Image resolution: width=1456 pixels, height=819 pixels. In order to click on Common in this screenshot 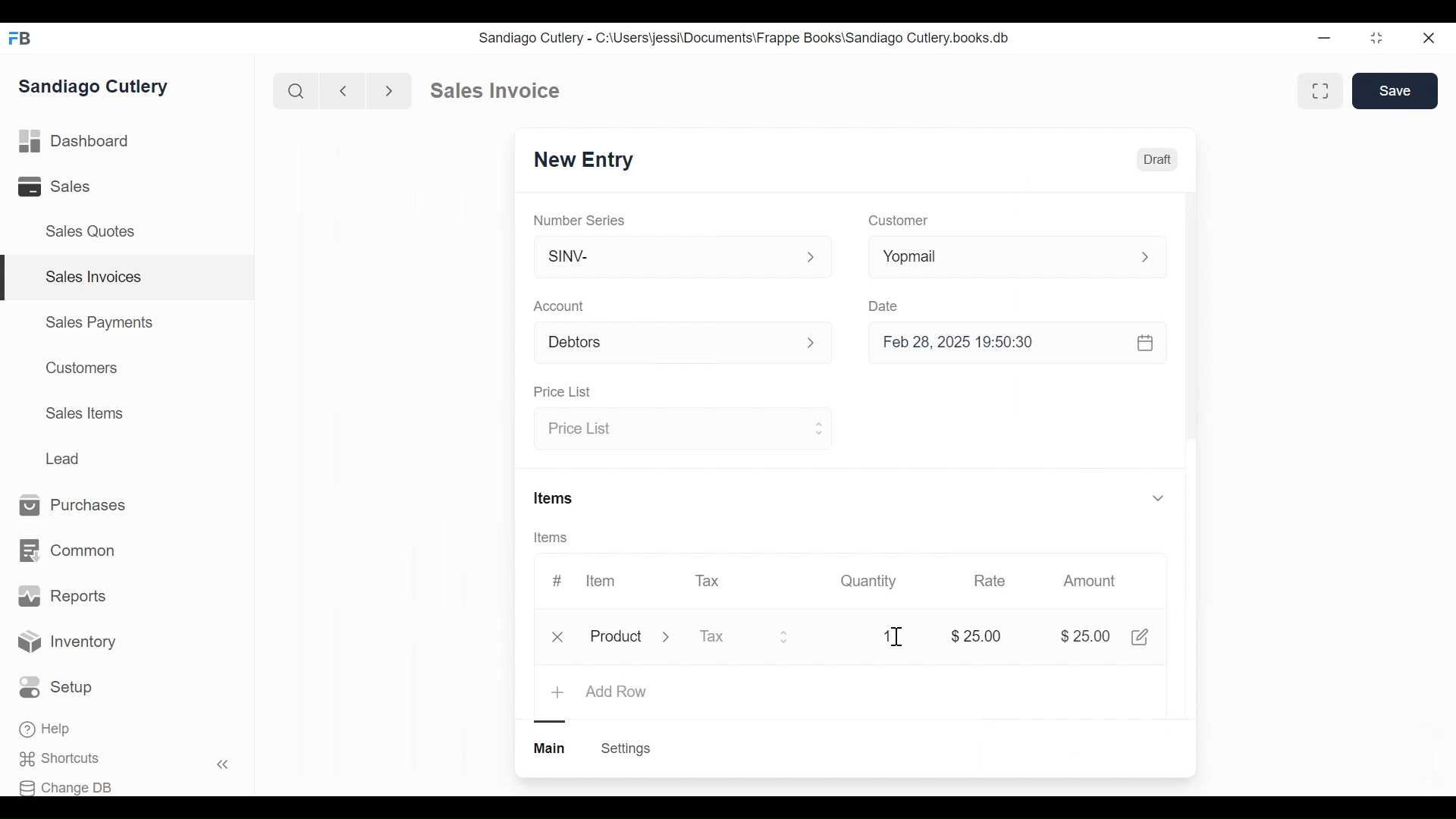, I will do `click(70, 551)`.